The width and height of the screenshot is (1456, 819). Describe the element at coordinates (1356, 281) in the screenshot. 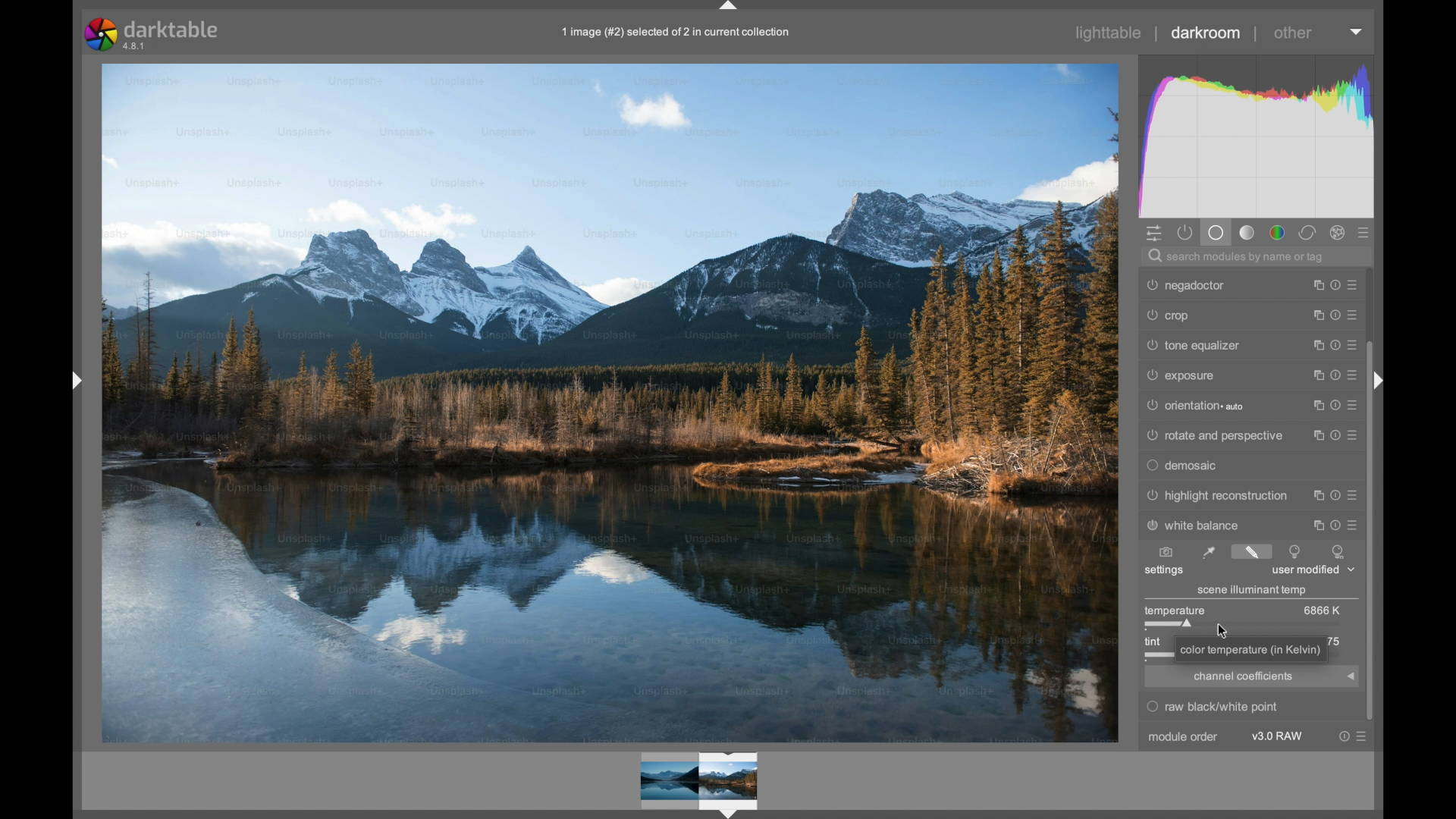

I see `presets` at that location.